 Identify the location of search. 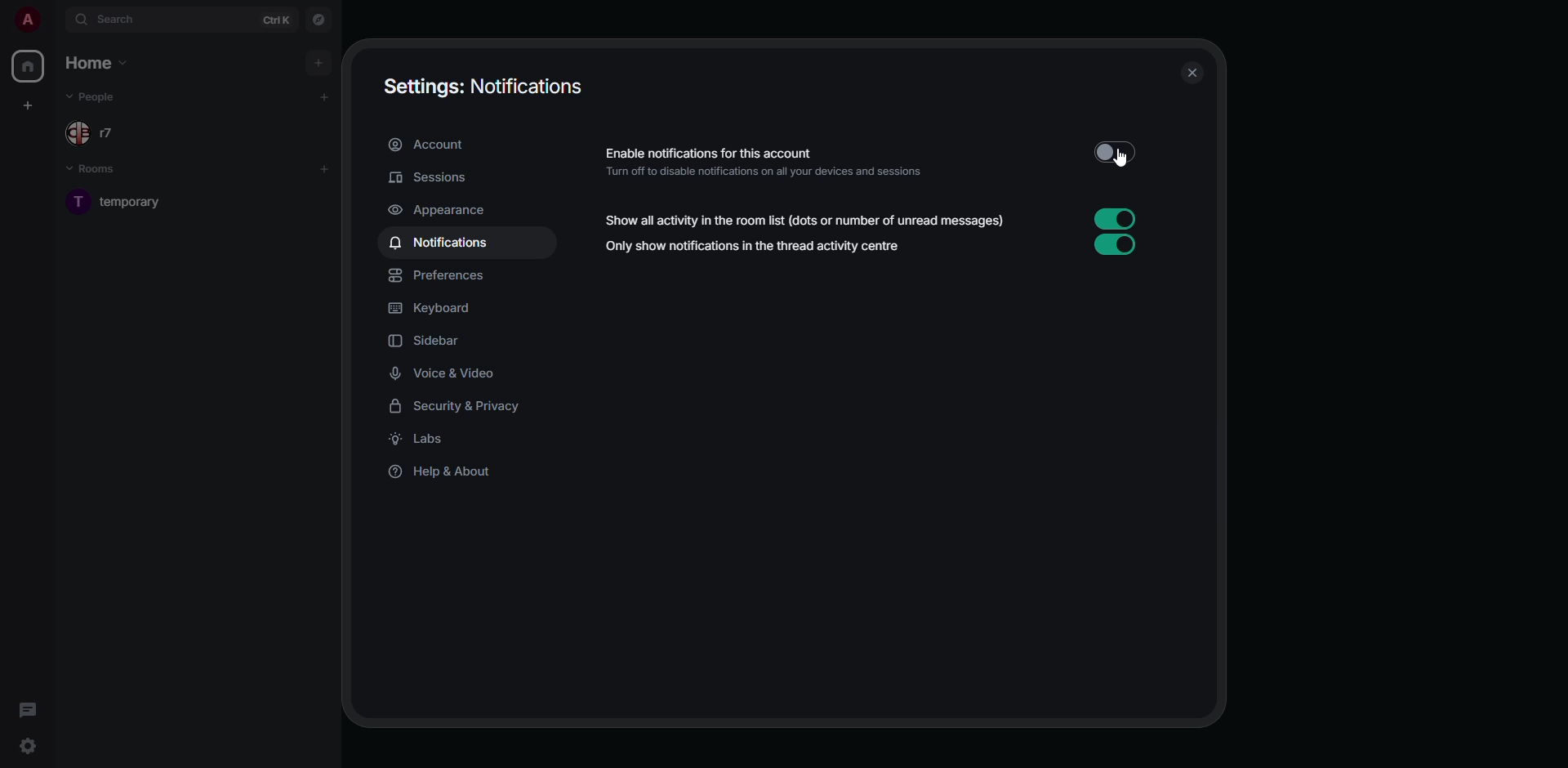
(114, 20).